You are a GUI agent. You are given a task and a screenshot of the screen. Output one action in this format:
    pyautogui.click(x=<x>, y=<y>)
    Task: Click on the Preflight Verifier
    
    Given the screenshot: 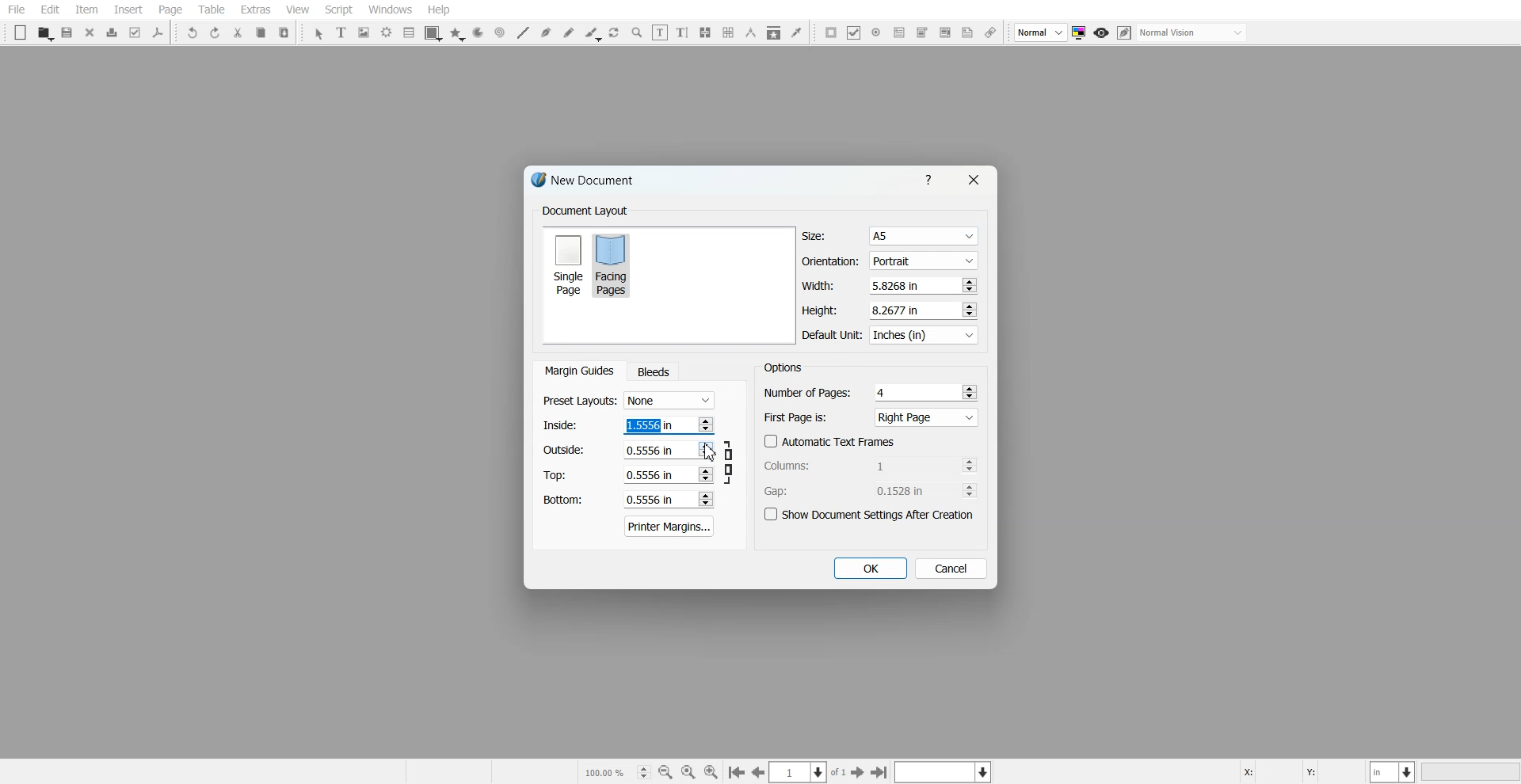 What is the action you would take?
    pyautogui.click(x=136, y=32)
    